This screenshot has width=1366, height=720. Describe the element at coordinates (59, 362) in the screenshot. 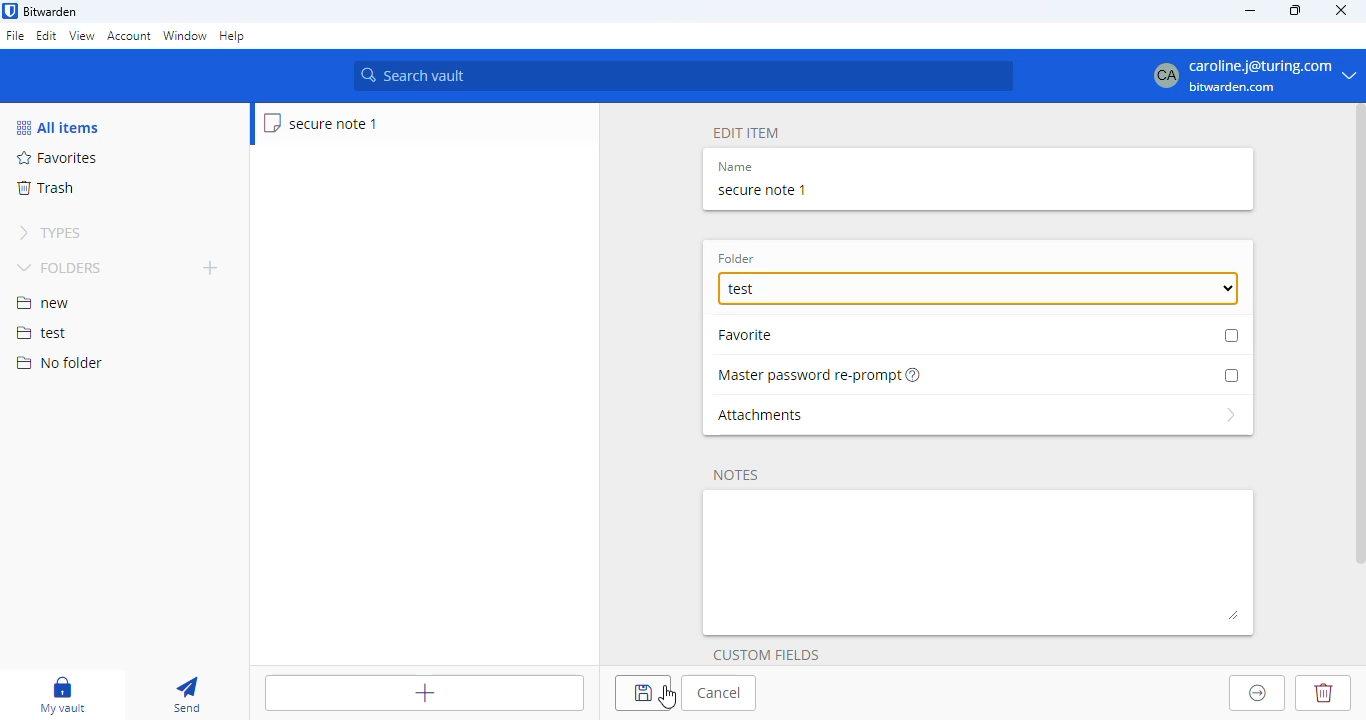

I see `no folder` at that location.